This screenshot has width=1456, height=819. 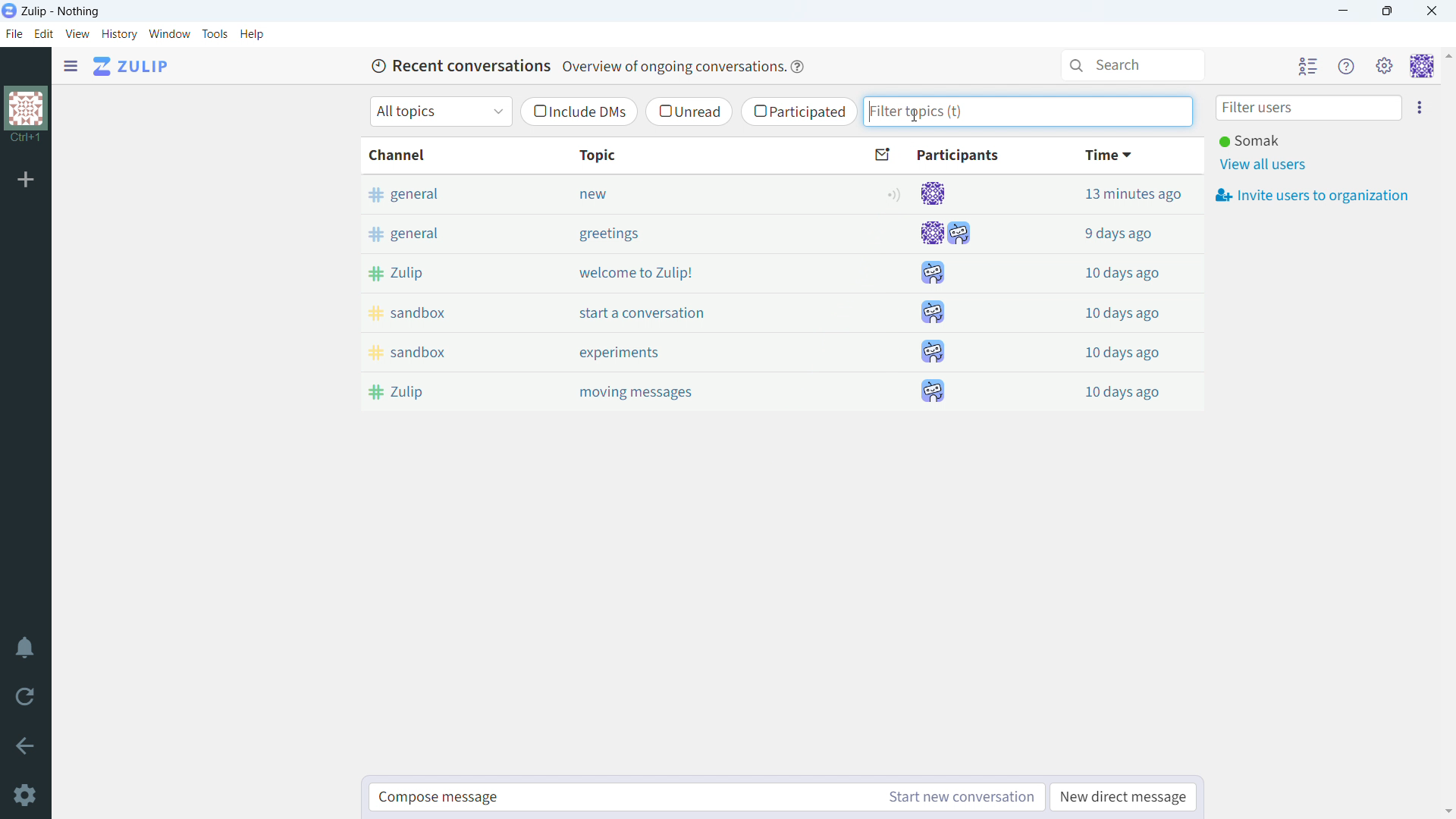 I want to click on enable do not disturb, so click(x=26, y=647).